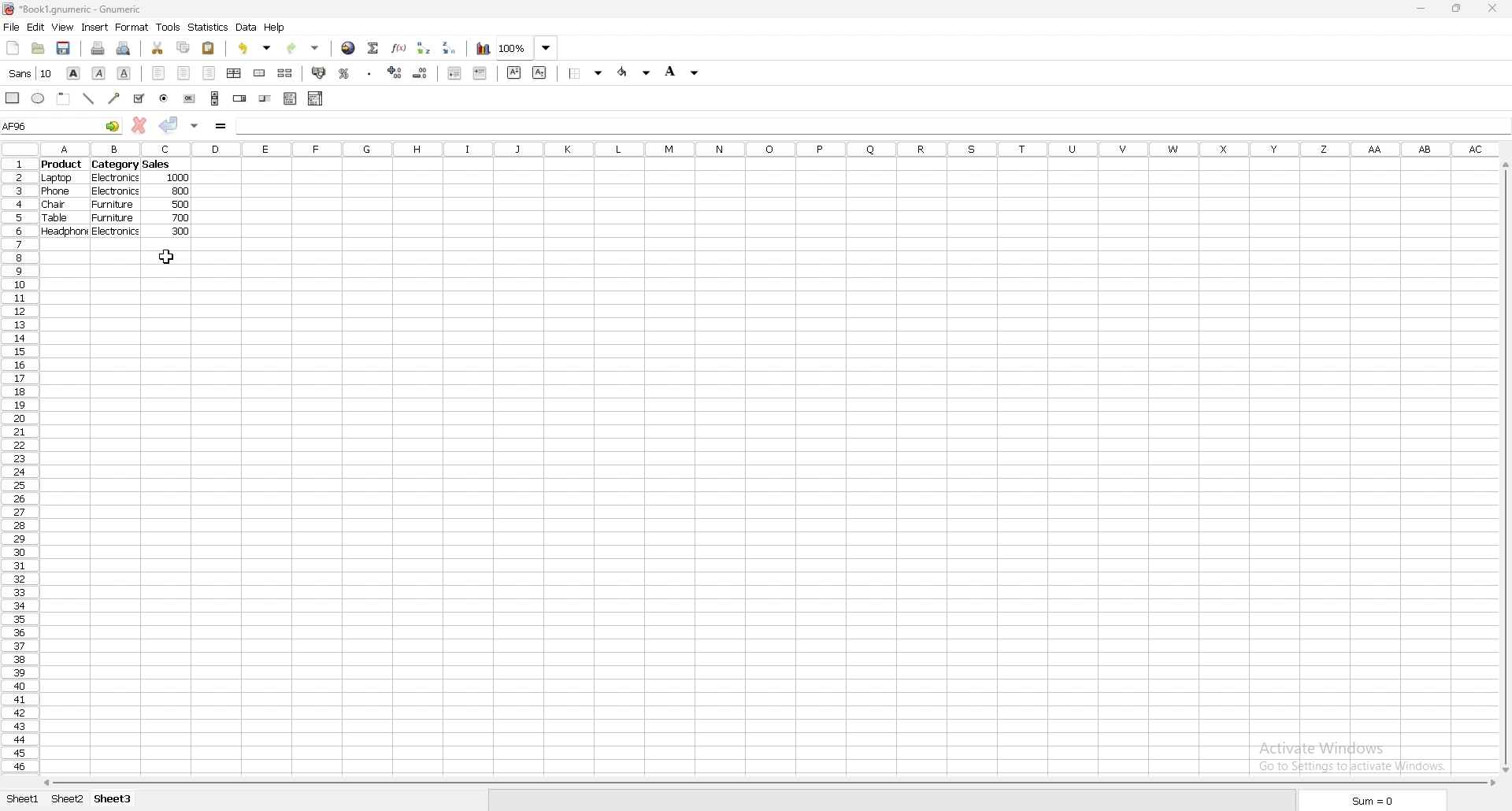 This screenshot has width=1512, height=811. What do you see at coordinates (375, 47) in the screenshot?
I see `summation` at bounding box center [375, 47].